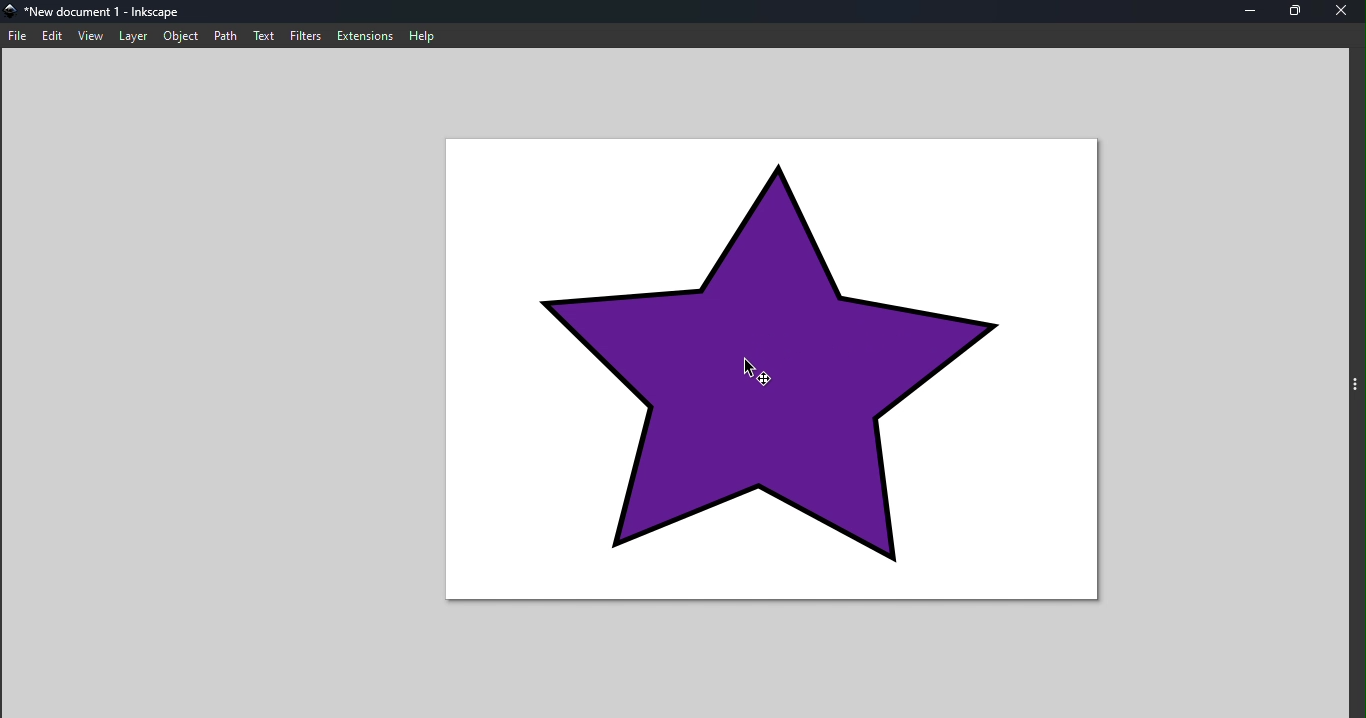 The image size is (1366, 718). What do you see at coordinates (752, 364) in the screenshot?
I see `cursor` at bounding box center [752, 364].